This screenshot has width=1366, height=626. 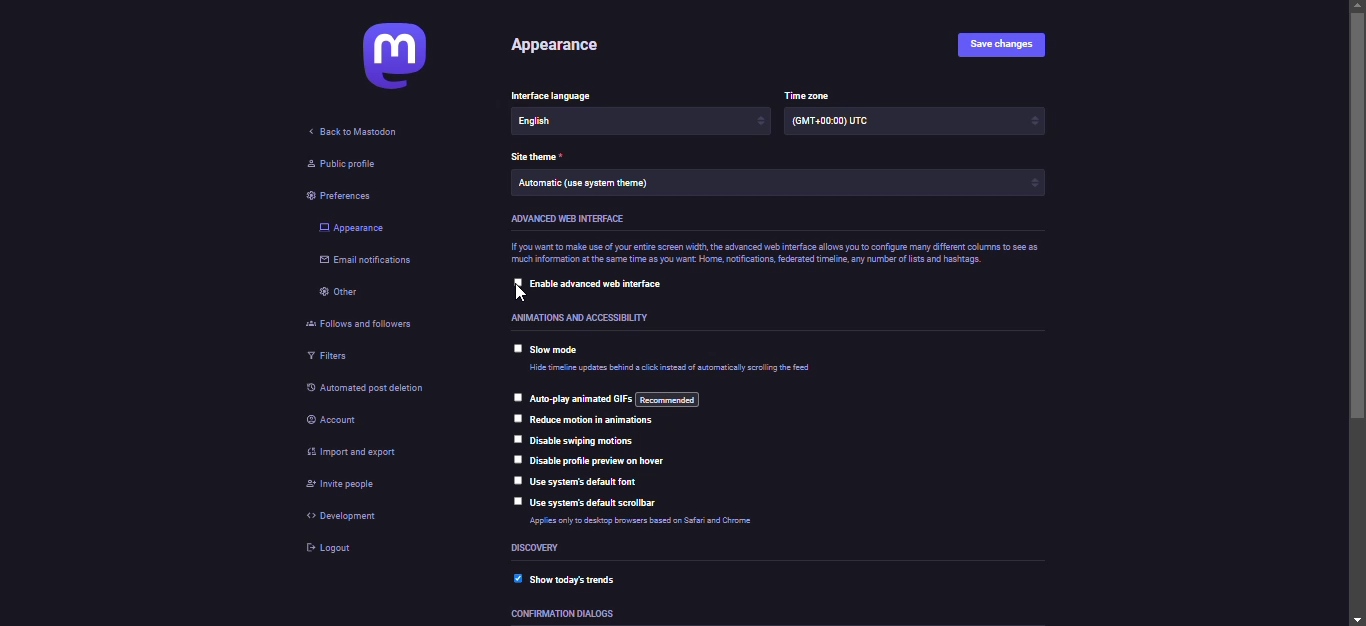 What do you see at coordinates (568, 220) in the screenshot?
I see `advanced web interface` at bounding box center [568, 220].